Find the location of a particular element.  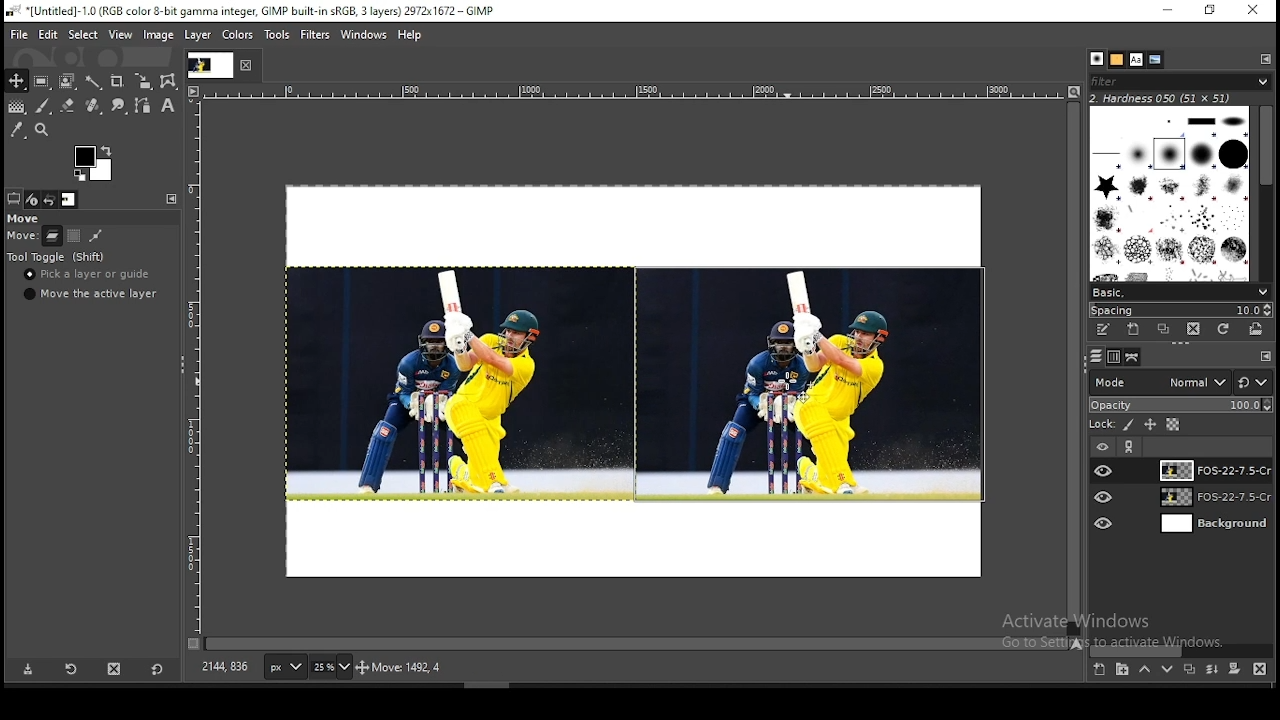

merge layer is located at coordinates (1212, 669).